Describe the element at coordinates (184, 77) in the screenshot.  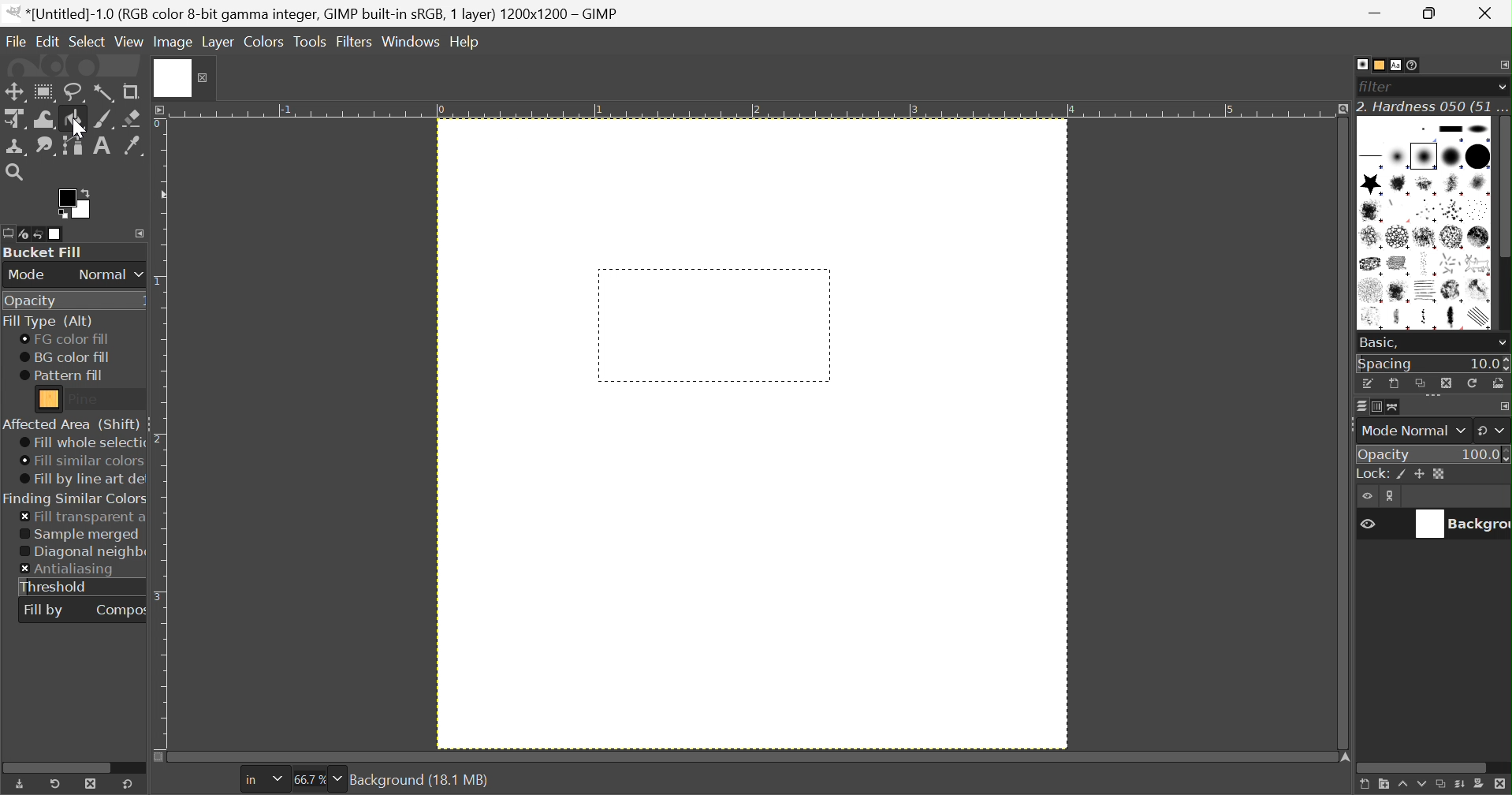
I see `Close` at that location.